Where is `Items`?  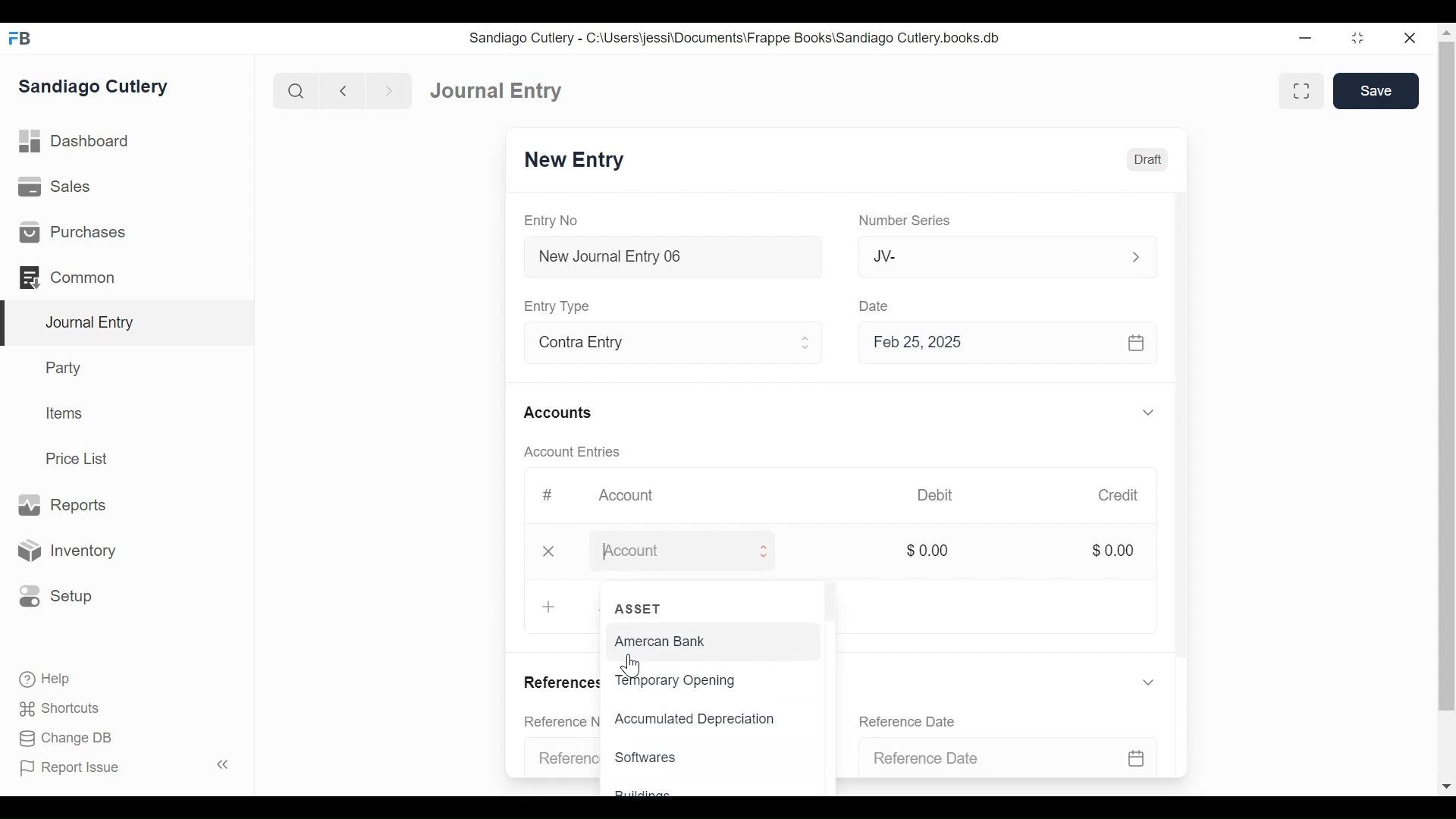
Items is located at coordinates (65, 413).